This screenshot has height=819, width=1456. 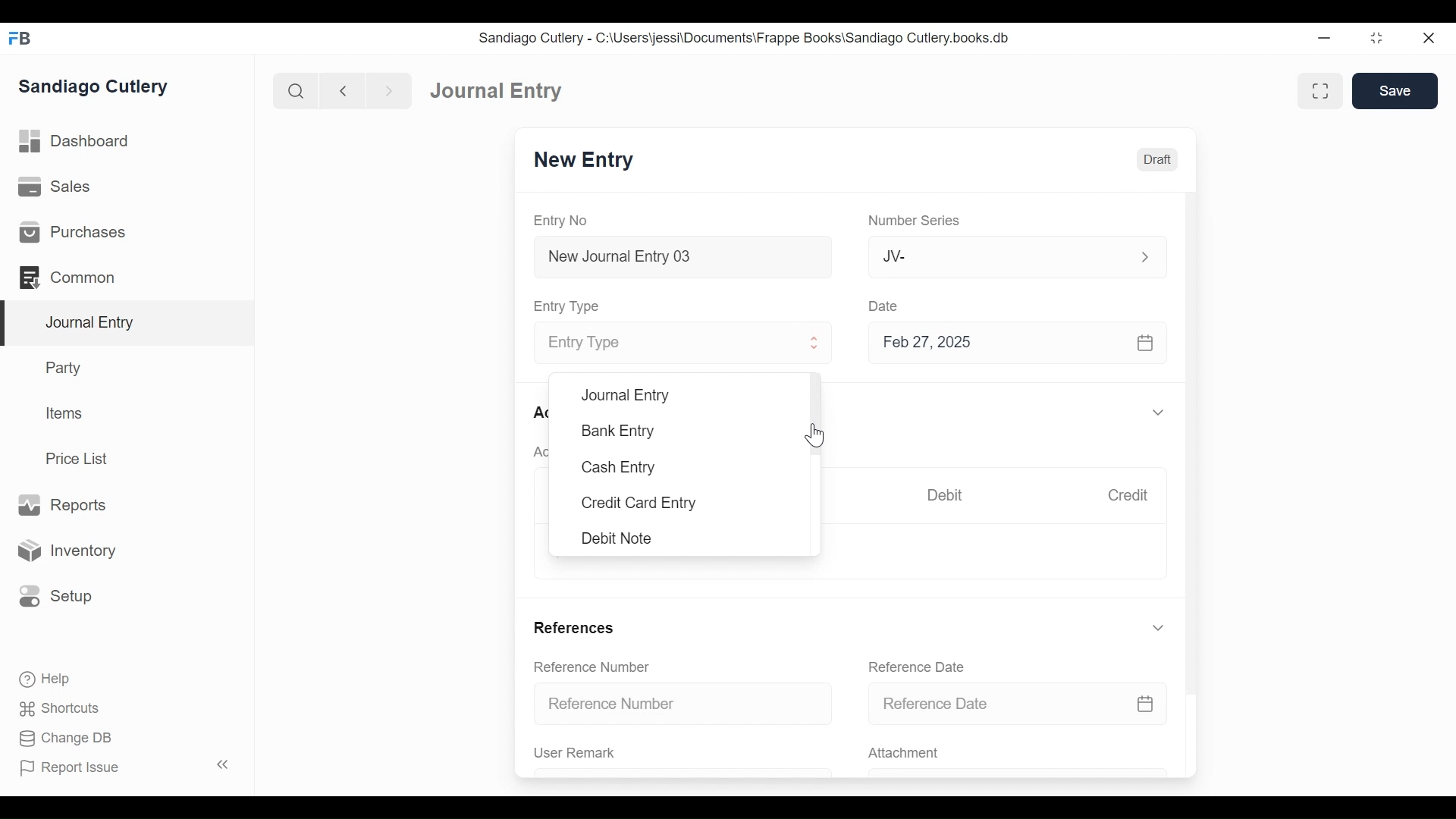 What do you see at coordinates (1320, 90) in the screenshot?
I see `Toggle between form and full width` at bounding box center [1320, 90].